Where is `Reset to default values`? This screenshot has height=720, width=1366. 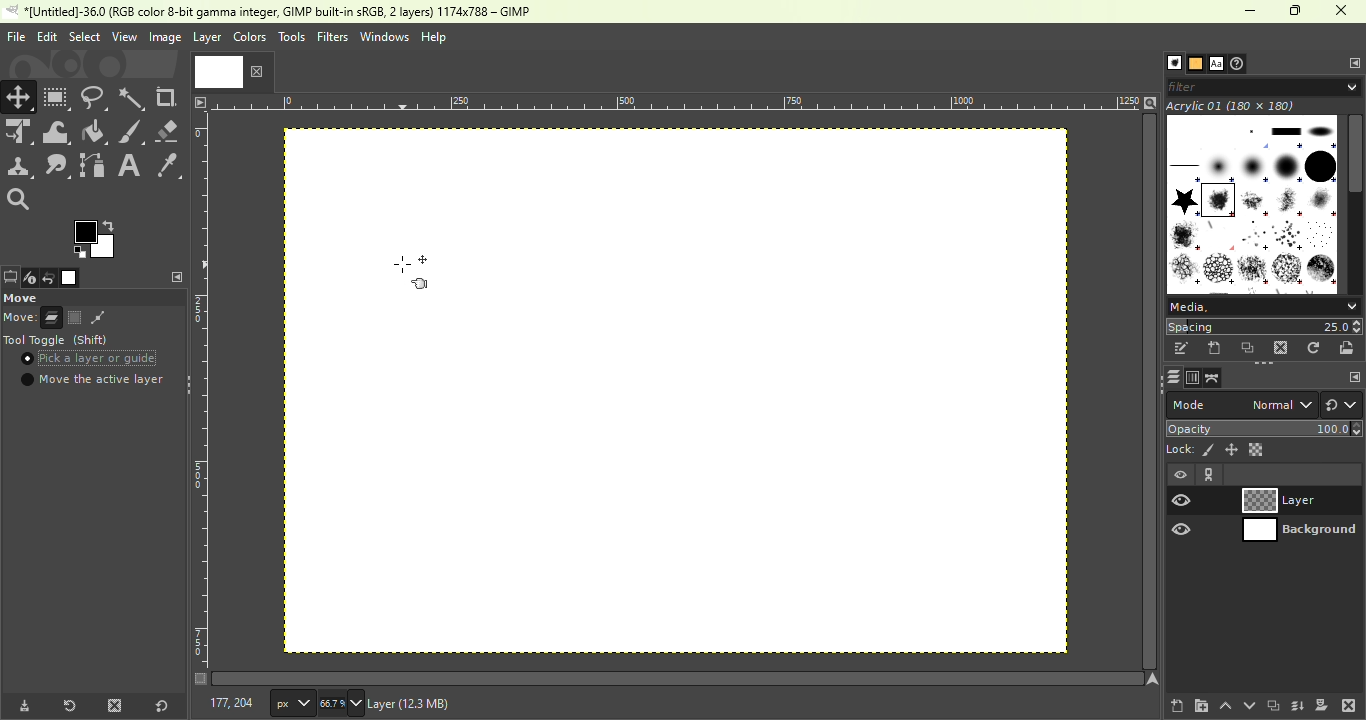
Reset to default values is located at coordinates (159, 703).